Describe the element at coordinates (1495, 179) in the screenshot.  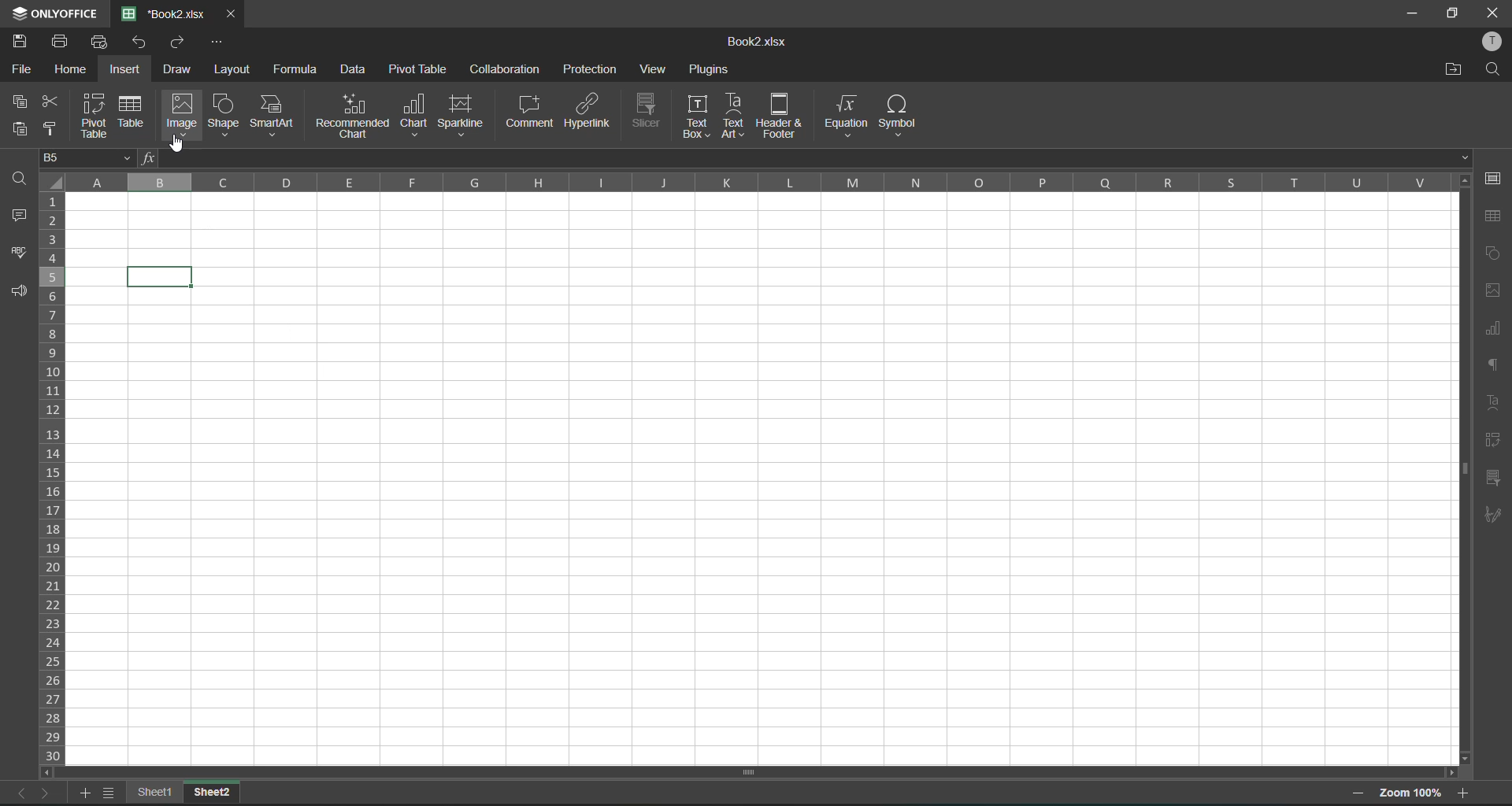
I see `cell settings` at that location.